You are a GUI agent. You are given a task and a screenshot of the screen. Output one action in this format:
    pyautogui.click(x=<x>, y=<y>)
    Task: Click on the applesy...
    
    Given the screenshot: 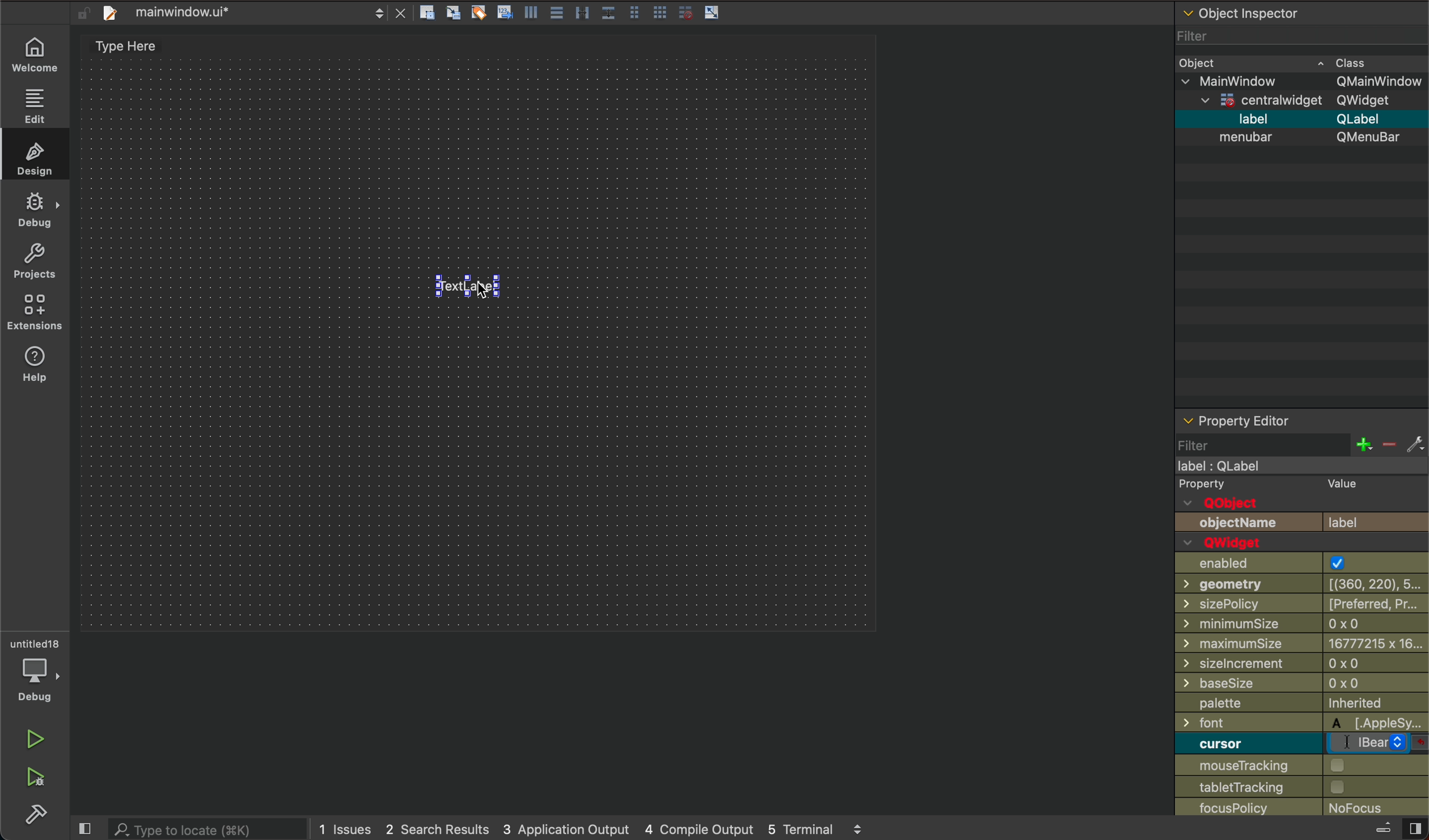 What is the action you would take?
    pyautogui.click(x=1379, y=725)
    